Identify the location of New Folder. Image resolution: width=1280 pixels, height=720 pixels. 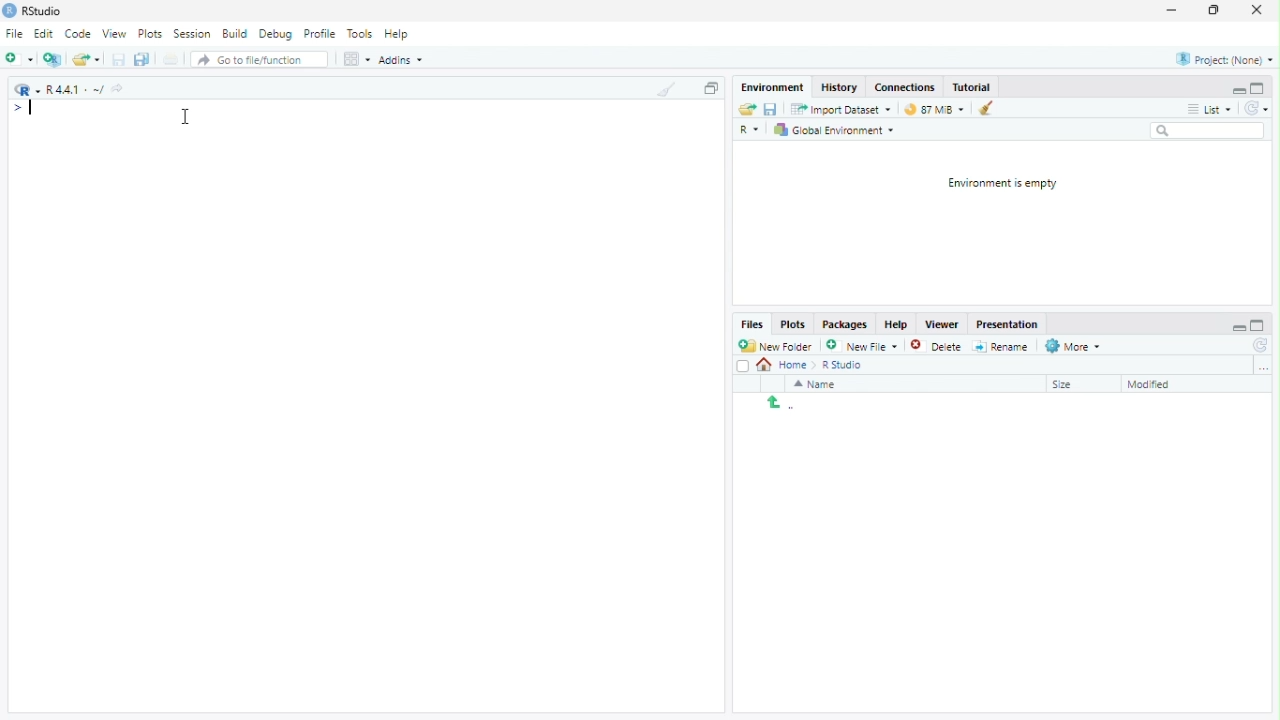
(775, 346).